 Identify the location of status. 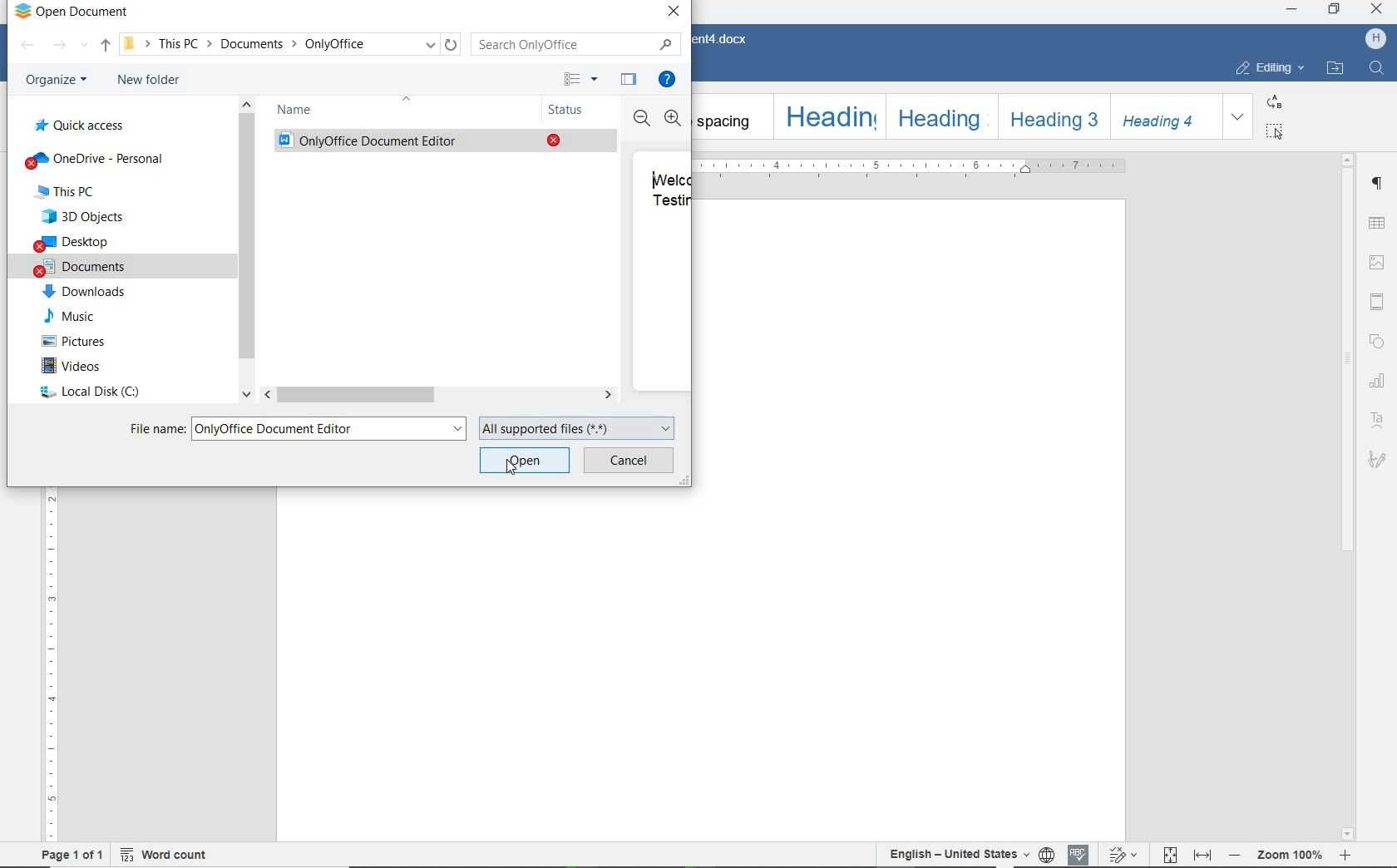
(565, 111).